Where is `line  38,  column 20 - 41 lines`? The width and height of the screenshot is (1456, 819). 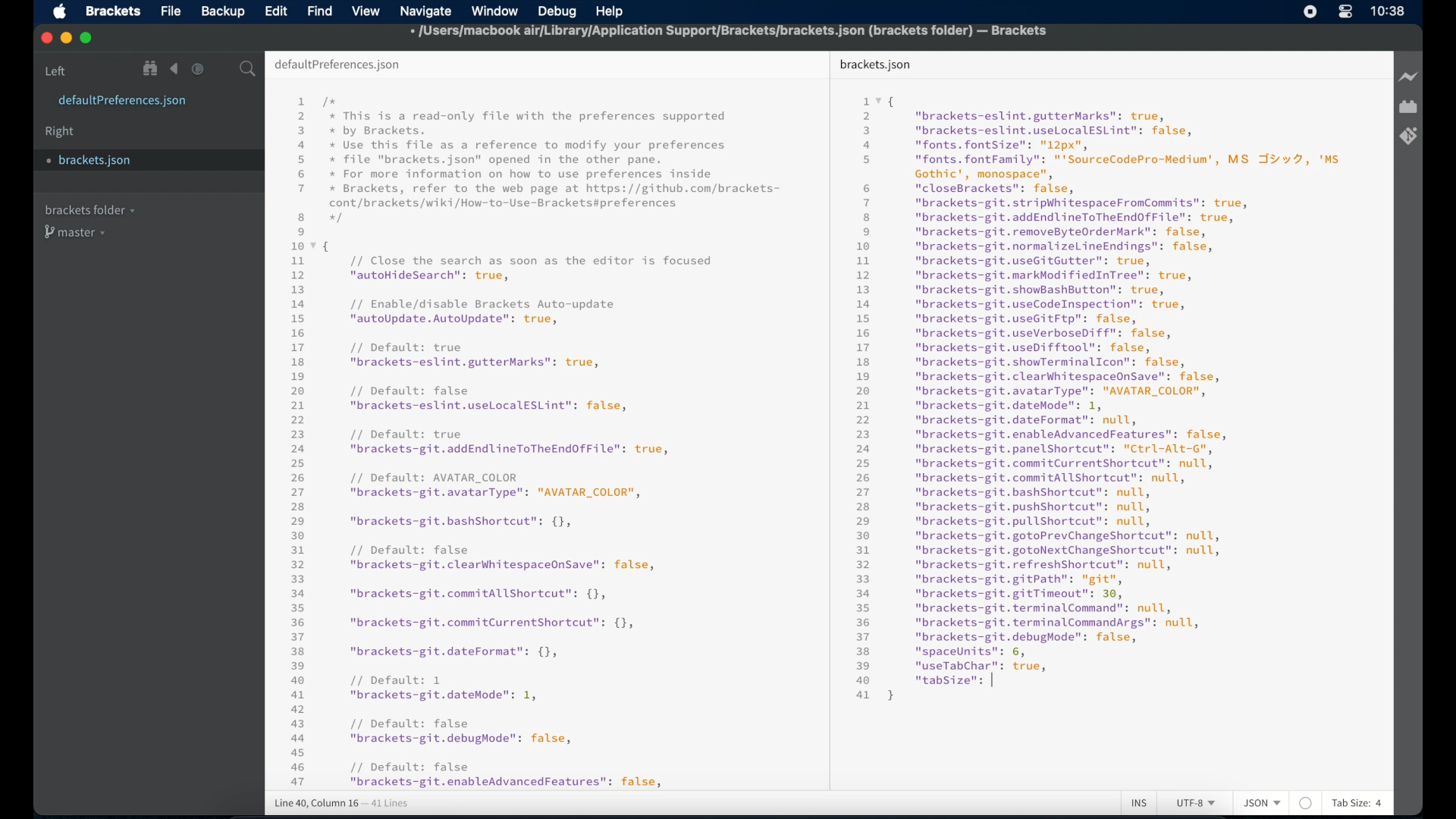 line  38,  column 20 - 41 lines is located at coordinates (342, 804).